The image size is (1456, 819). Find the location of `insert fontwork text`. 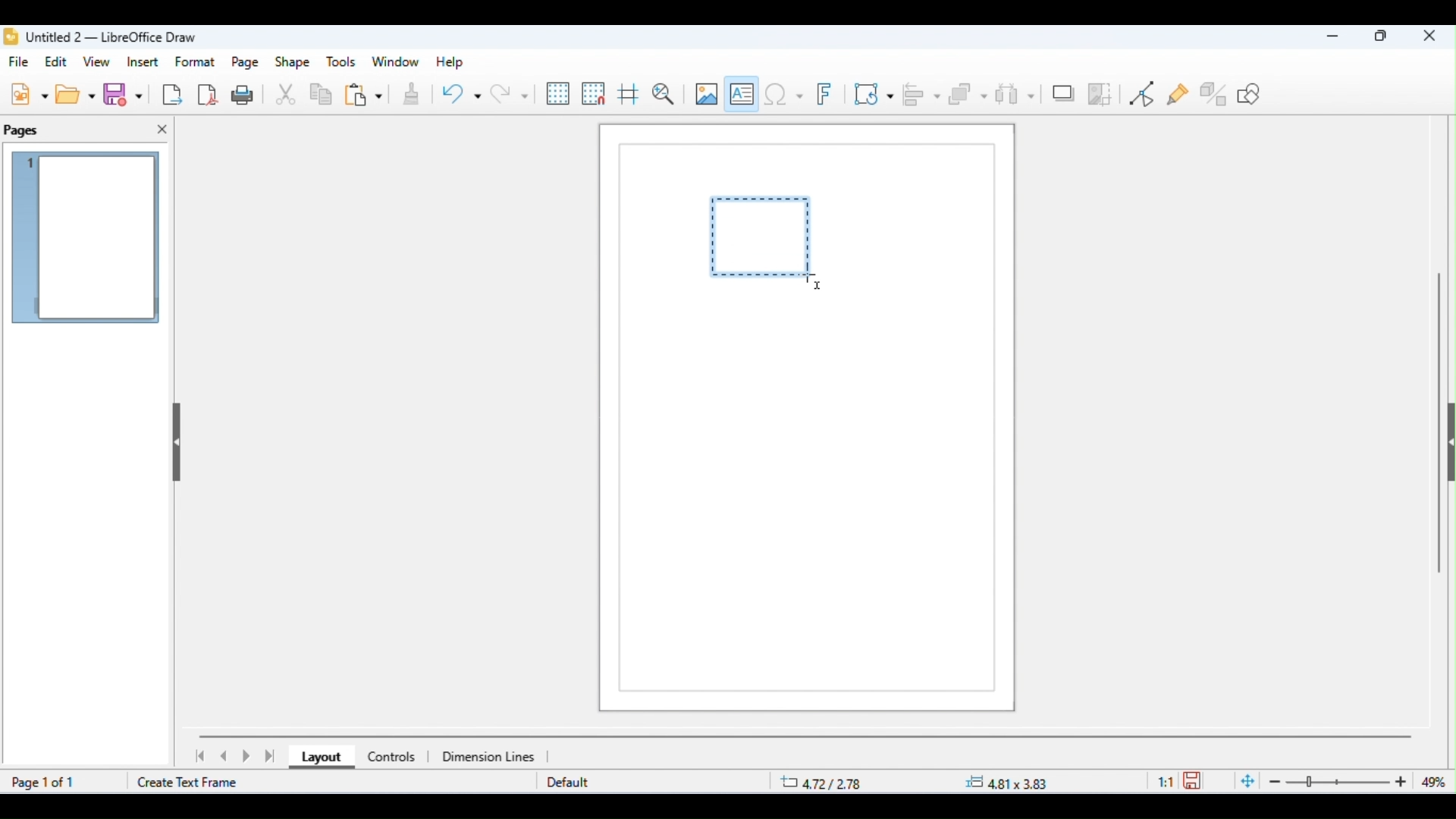

insert fontwork text is located at coordinates (827, 95).